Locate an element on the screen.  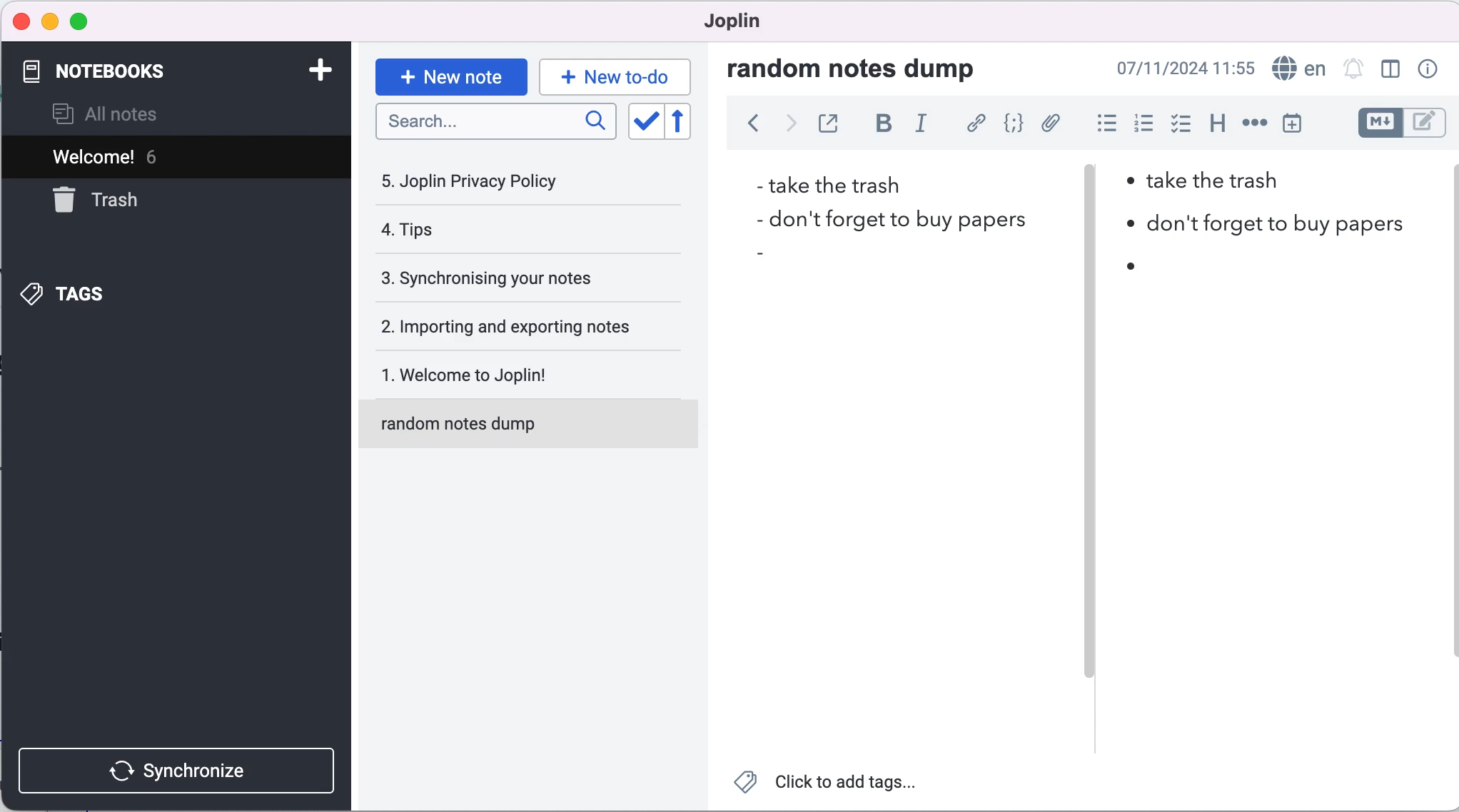
take the trash is located at coordinates (1223, 186).